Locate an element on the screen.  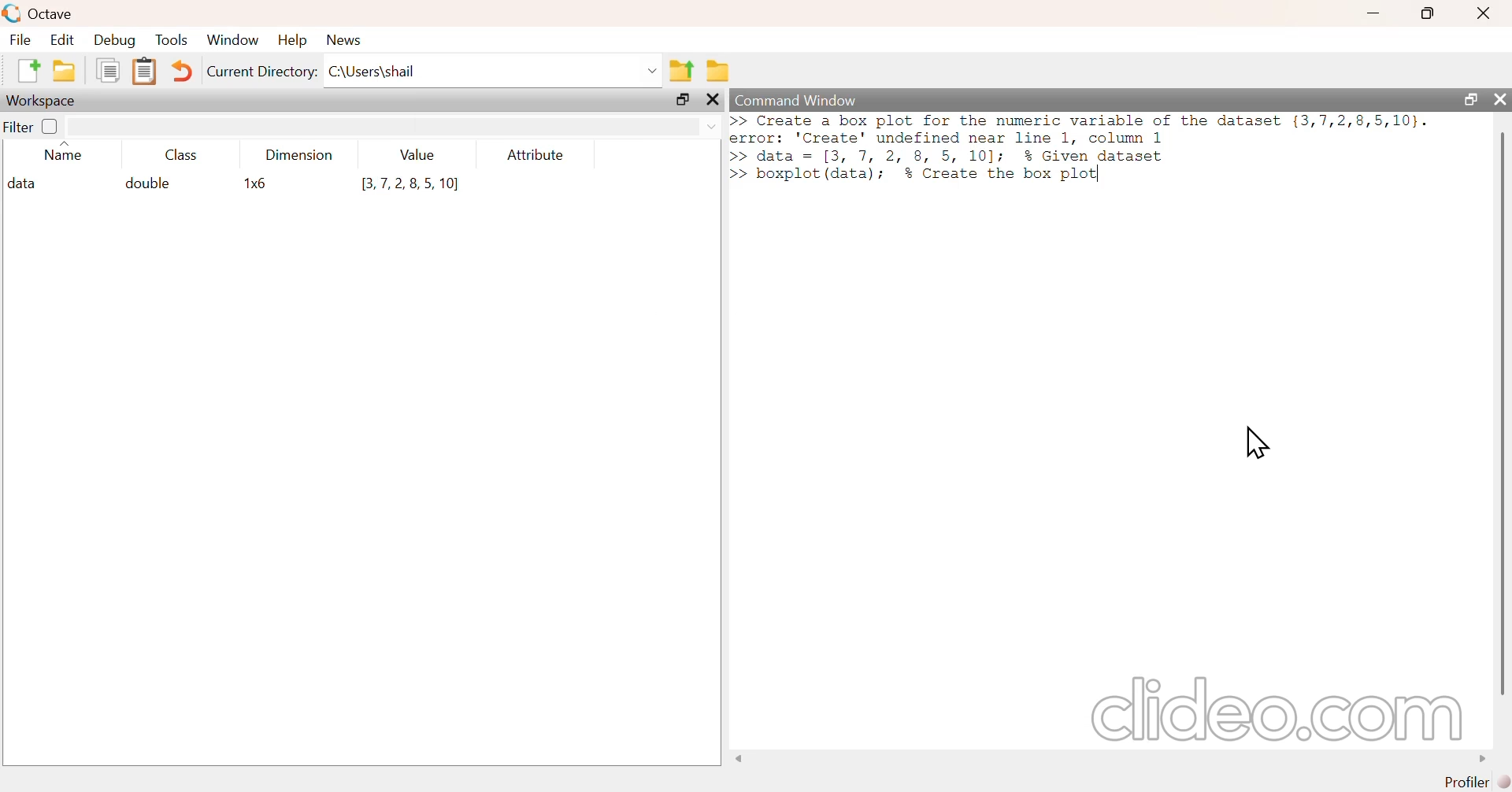
profiler is located at coordinates (1480, 782).